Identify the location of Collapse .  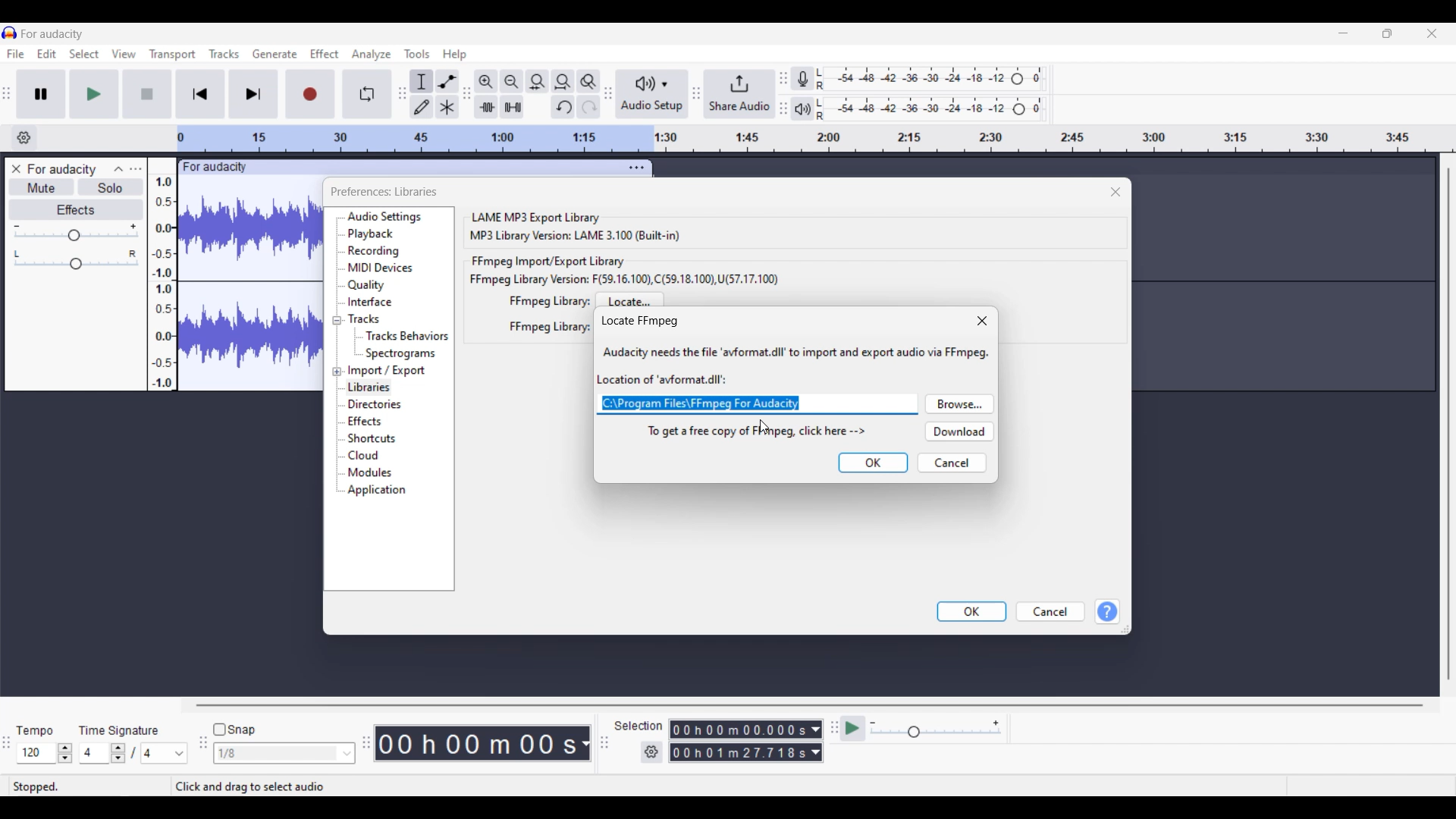
(119, 169).